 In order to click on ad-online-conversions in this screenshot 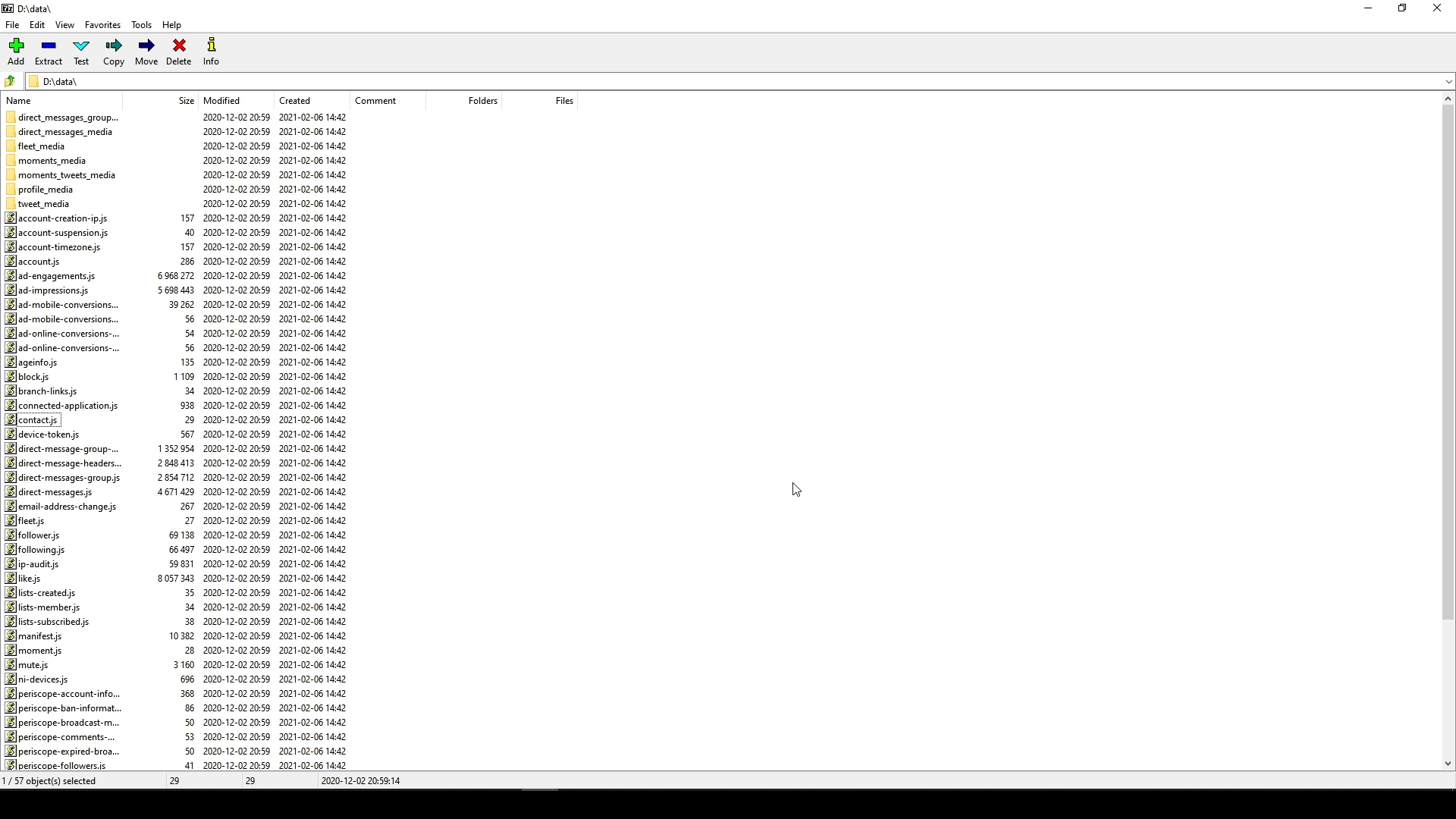, I will do `click(63, 333)`.